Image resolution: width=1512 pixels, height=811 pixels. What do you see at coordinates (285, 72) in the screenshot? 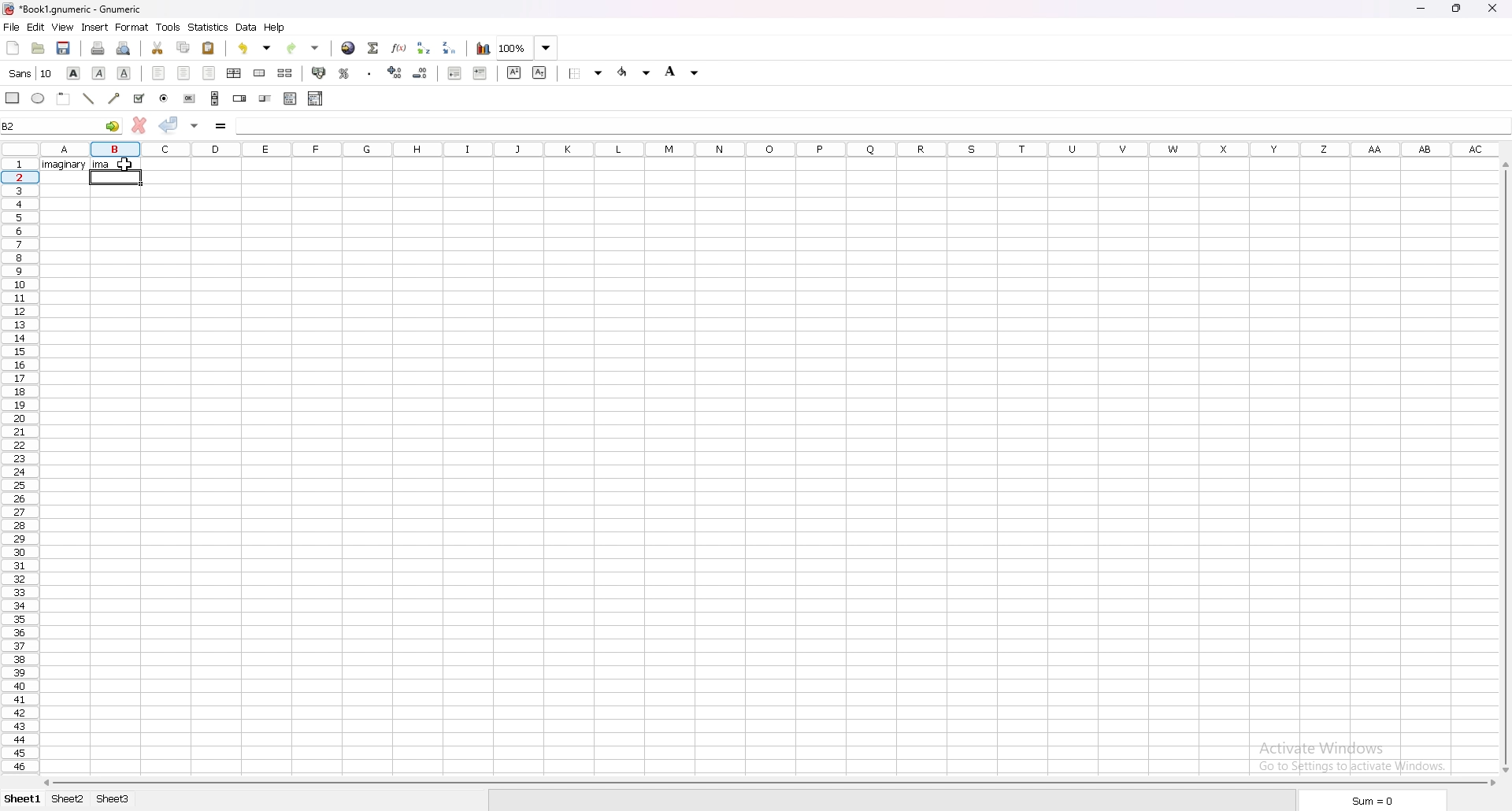
I see `split merged cells` at bounding box center [285, 72].